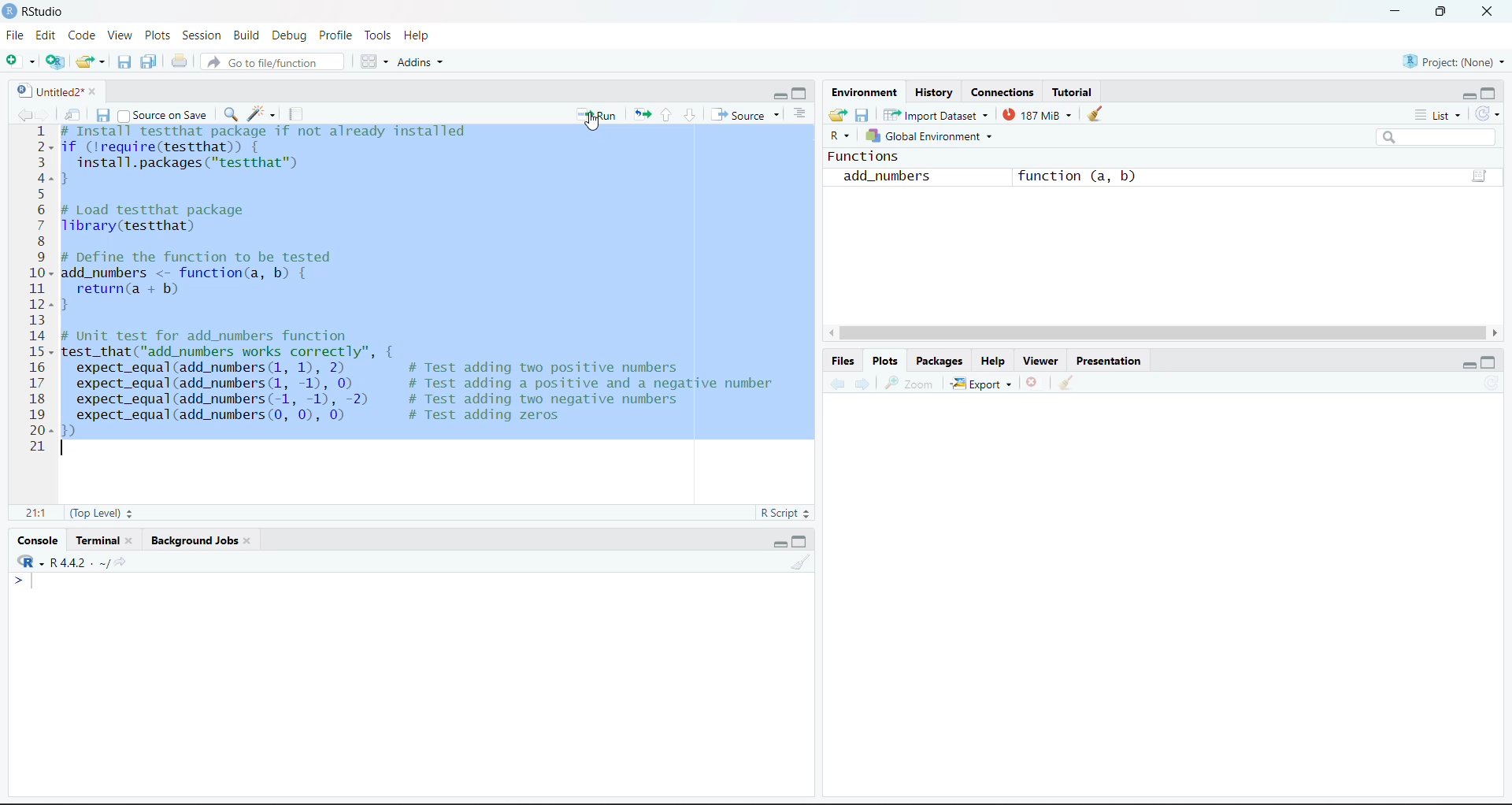 The width and height of the screenshot is (1512, 805). I want to click on function (a, b), so click(1079, 176).